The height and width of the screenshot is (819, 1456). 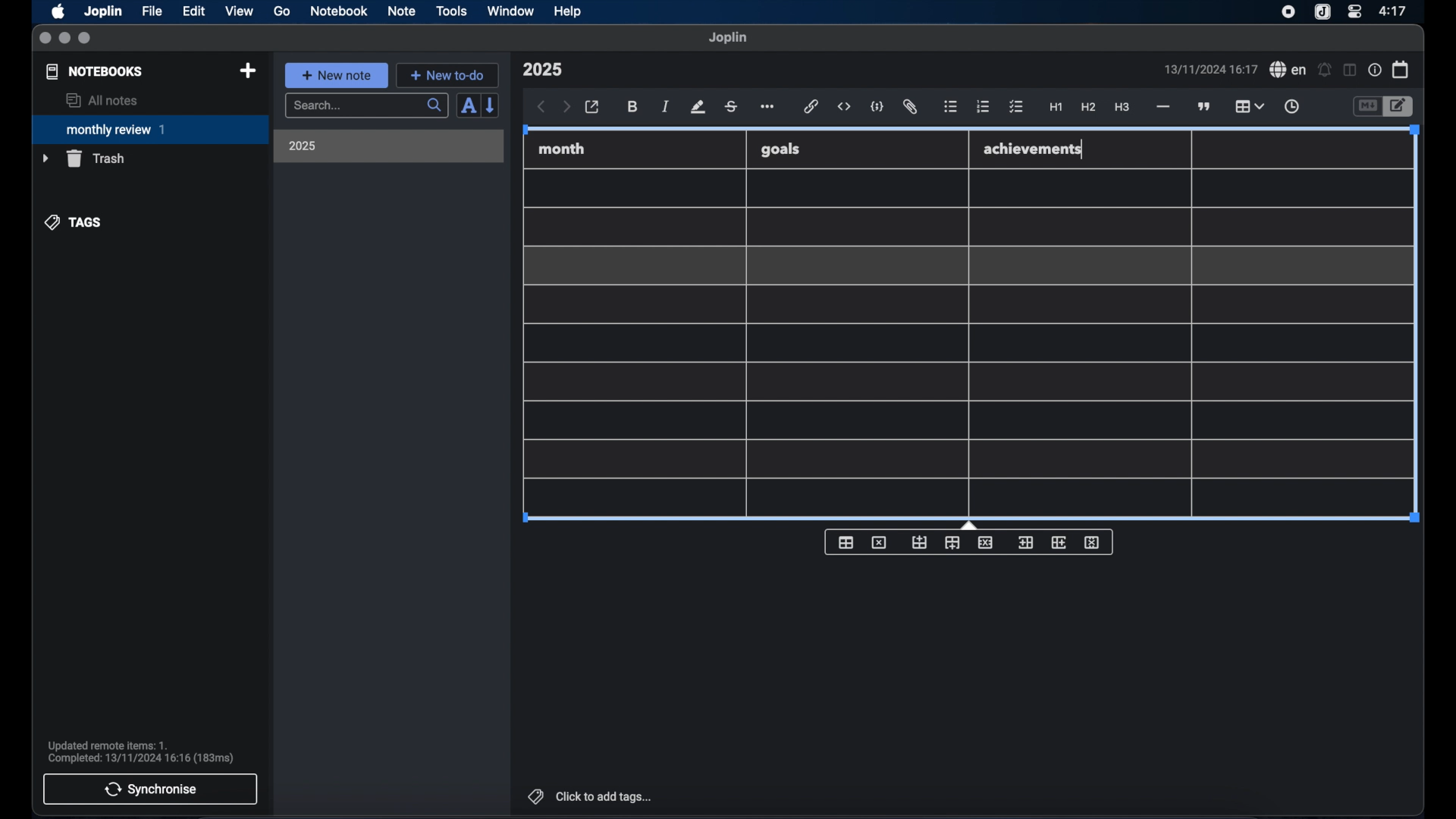 I want to click on check  list, so click(x=1016, y=108).